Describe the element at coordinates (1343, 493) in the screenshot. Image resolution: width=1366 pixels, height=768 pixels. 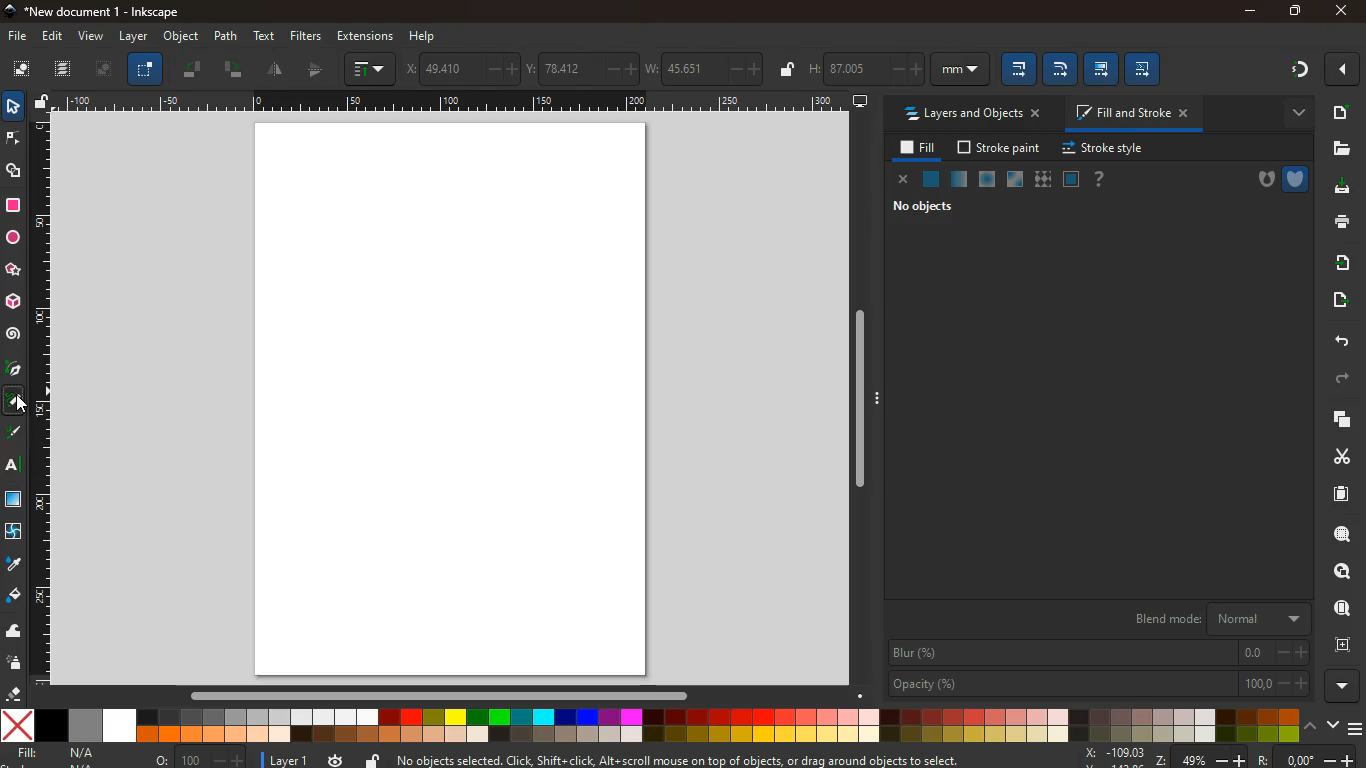
I see `document` at that location.